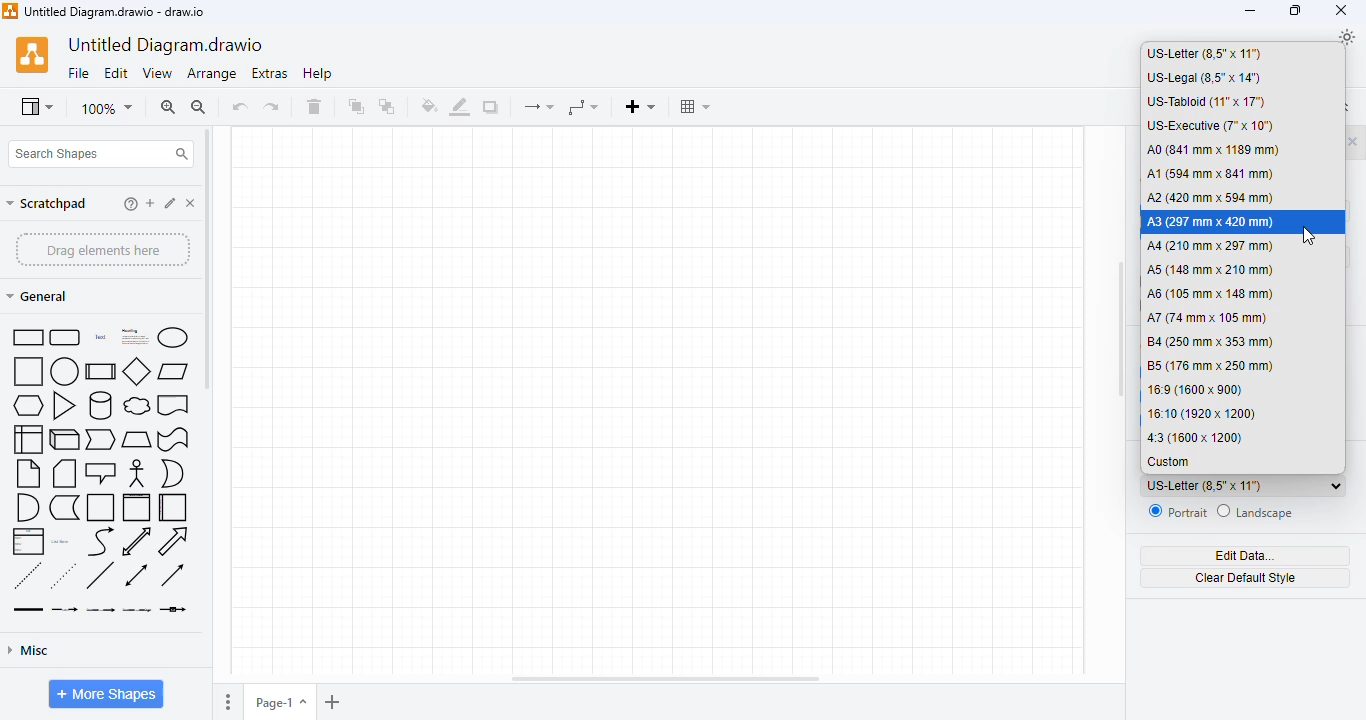 The height and width of the screenshot is (720, 1366). What do you see at coordinates (66, 338) in the screenshot?
I see `rounded rectangle` at bounding box center [66, 338].